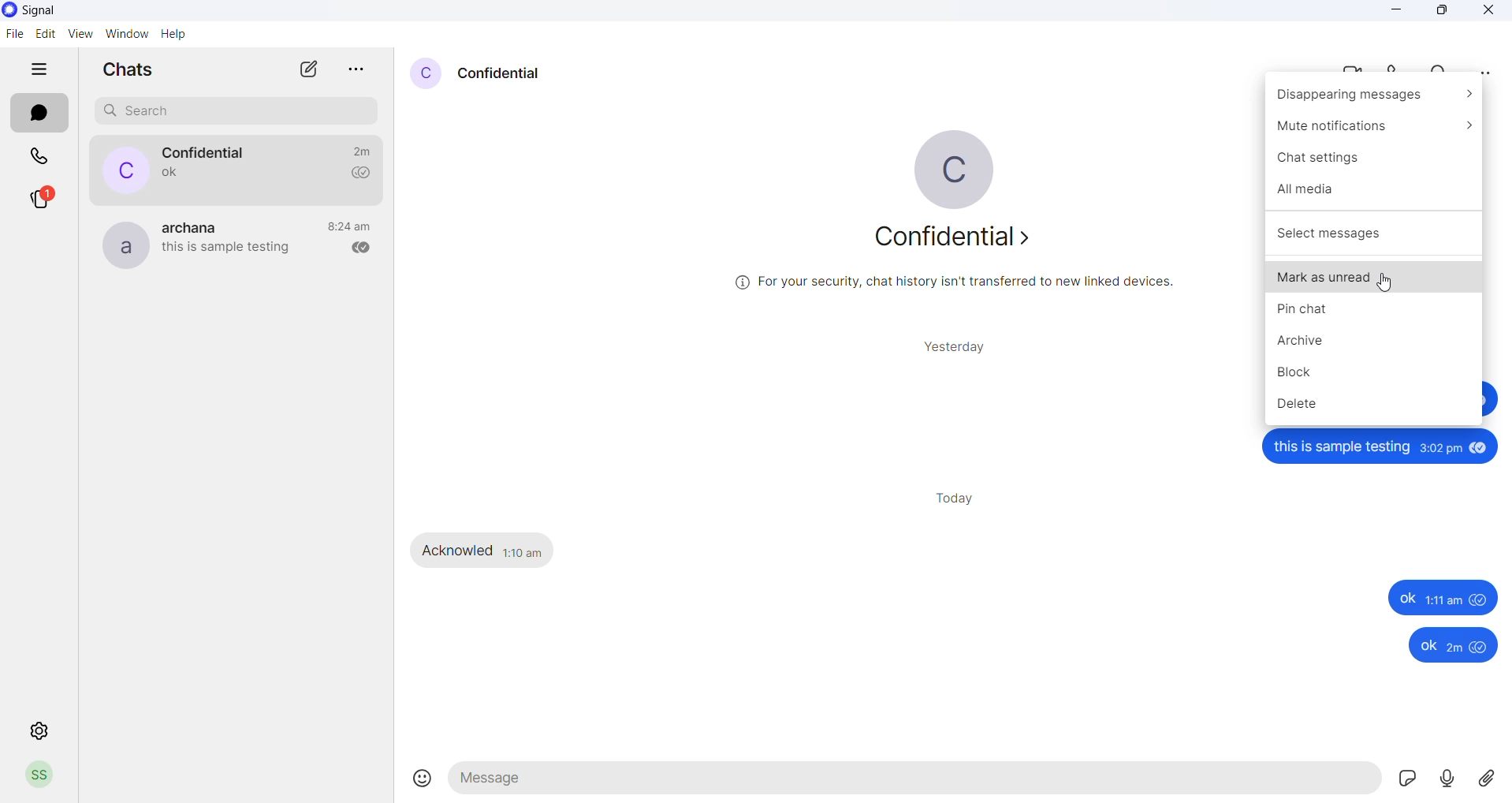  What do you see at coordinates (206, 152) in the screenshot?
I see `contact name` at bounding box center [206, 152].